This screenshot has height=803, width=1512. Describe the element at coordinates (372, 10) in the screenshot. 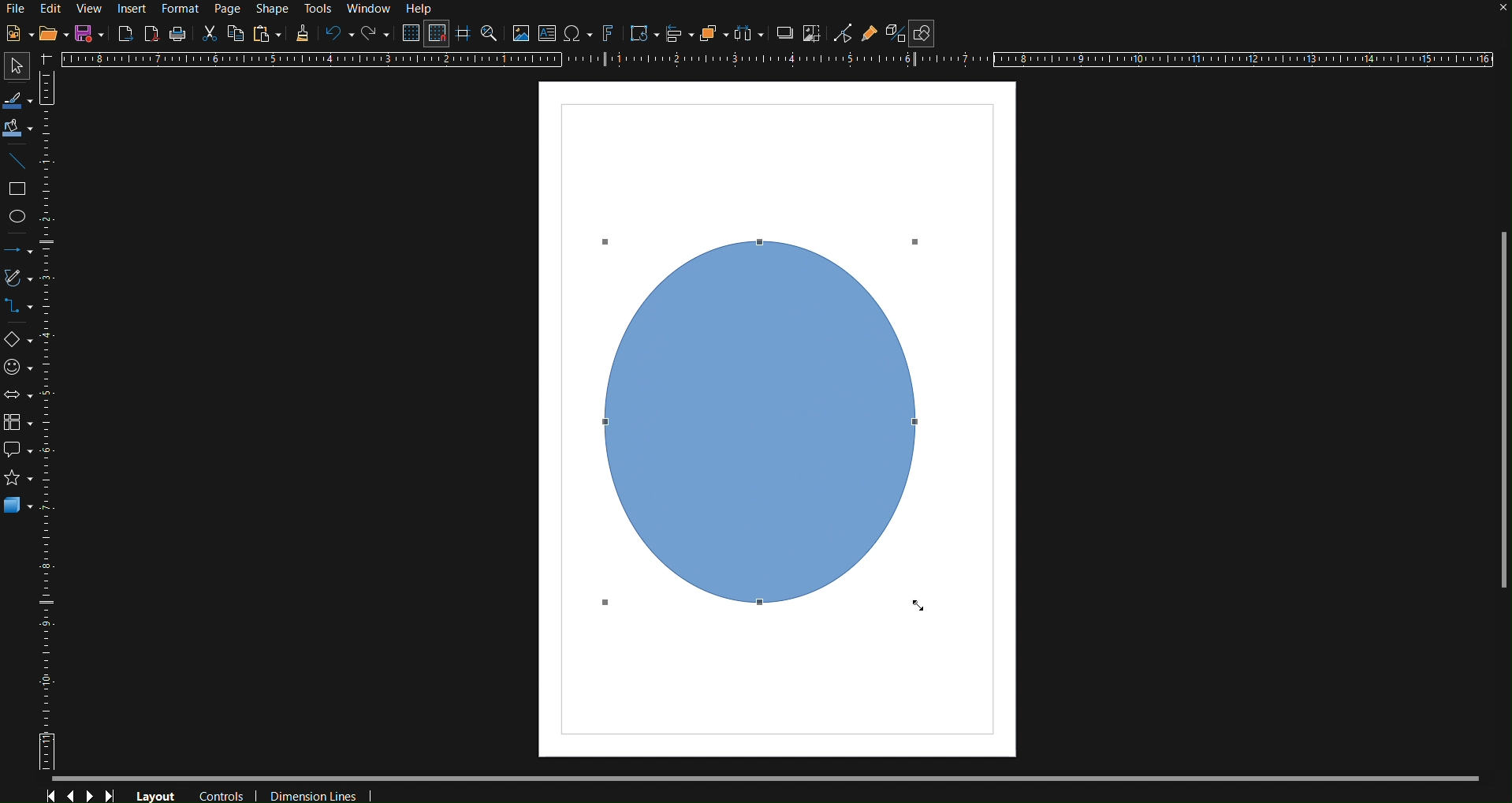

I see `Window` at that location.